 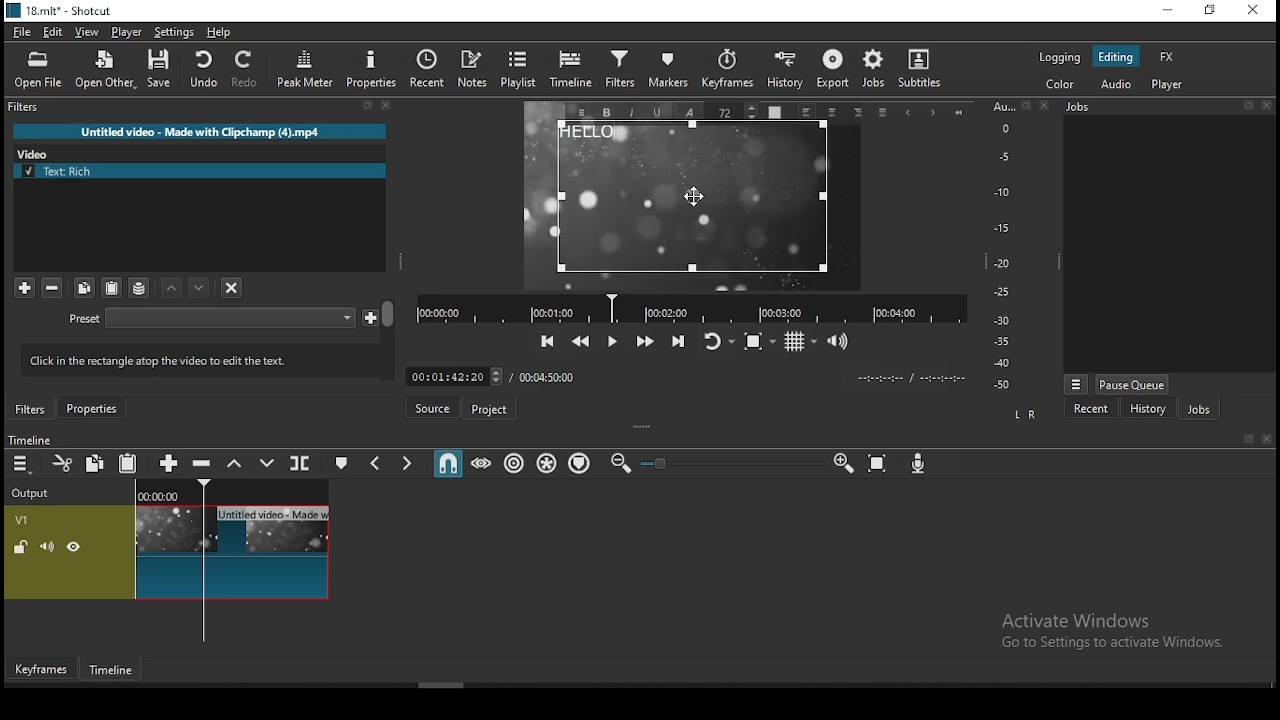 What do you see at coordinates (201, 171) in the screenshot?
I see `text rich` at bounding box center [201, 171].